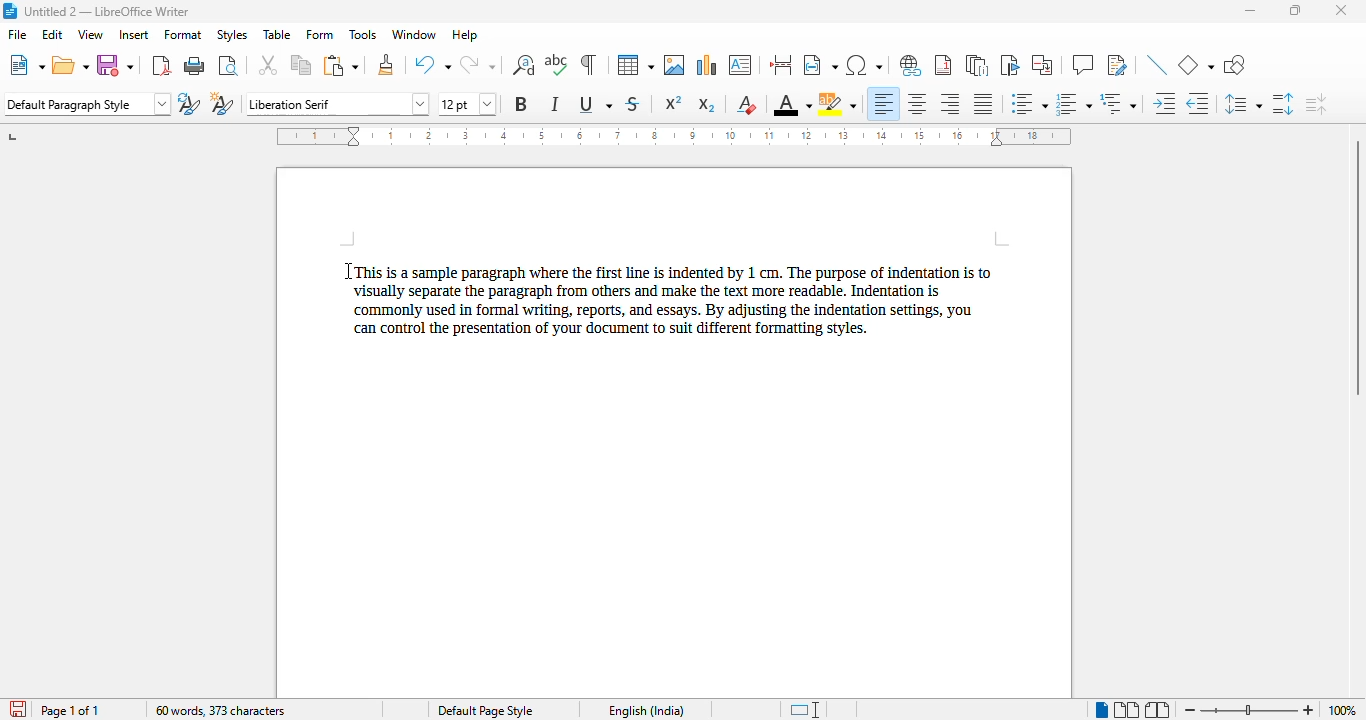  What do you see at coordinates (863, 65) in the screenshot?
I see `insert special characters` at bounding box center [863, 65].